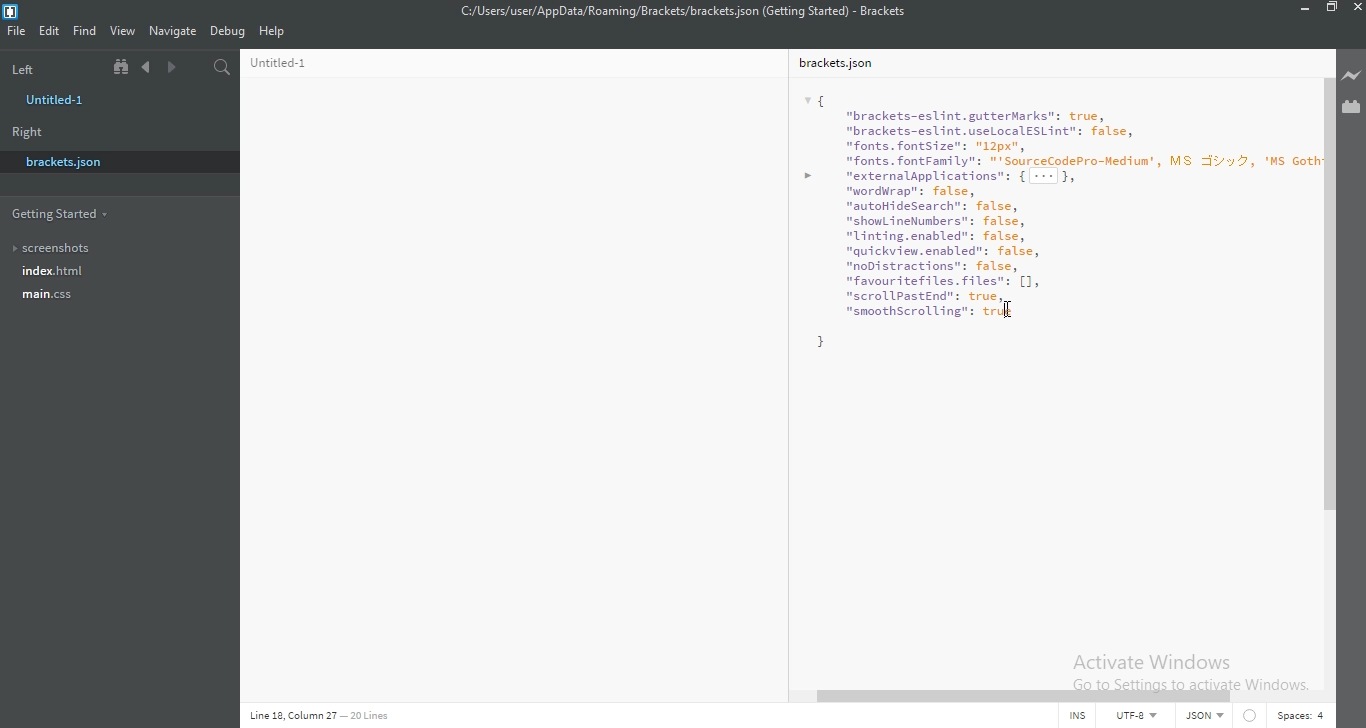  Describe the element at coordinates (1353, 71) in the screenshot. I see `Live preview` at that location.